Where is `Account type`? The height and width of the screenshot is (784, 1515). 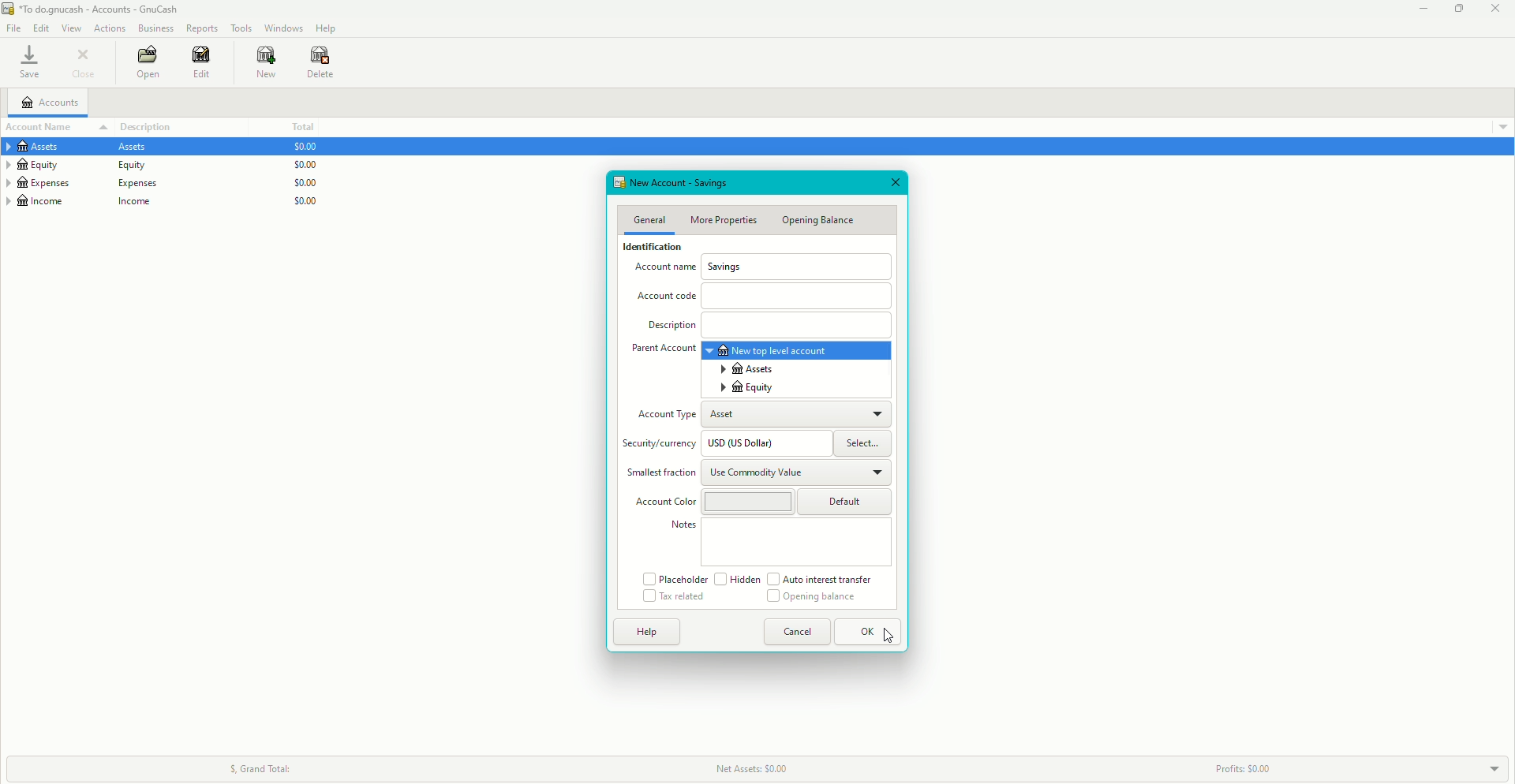
Account type is located at coordinates (666, 416).